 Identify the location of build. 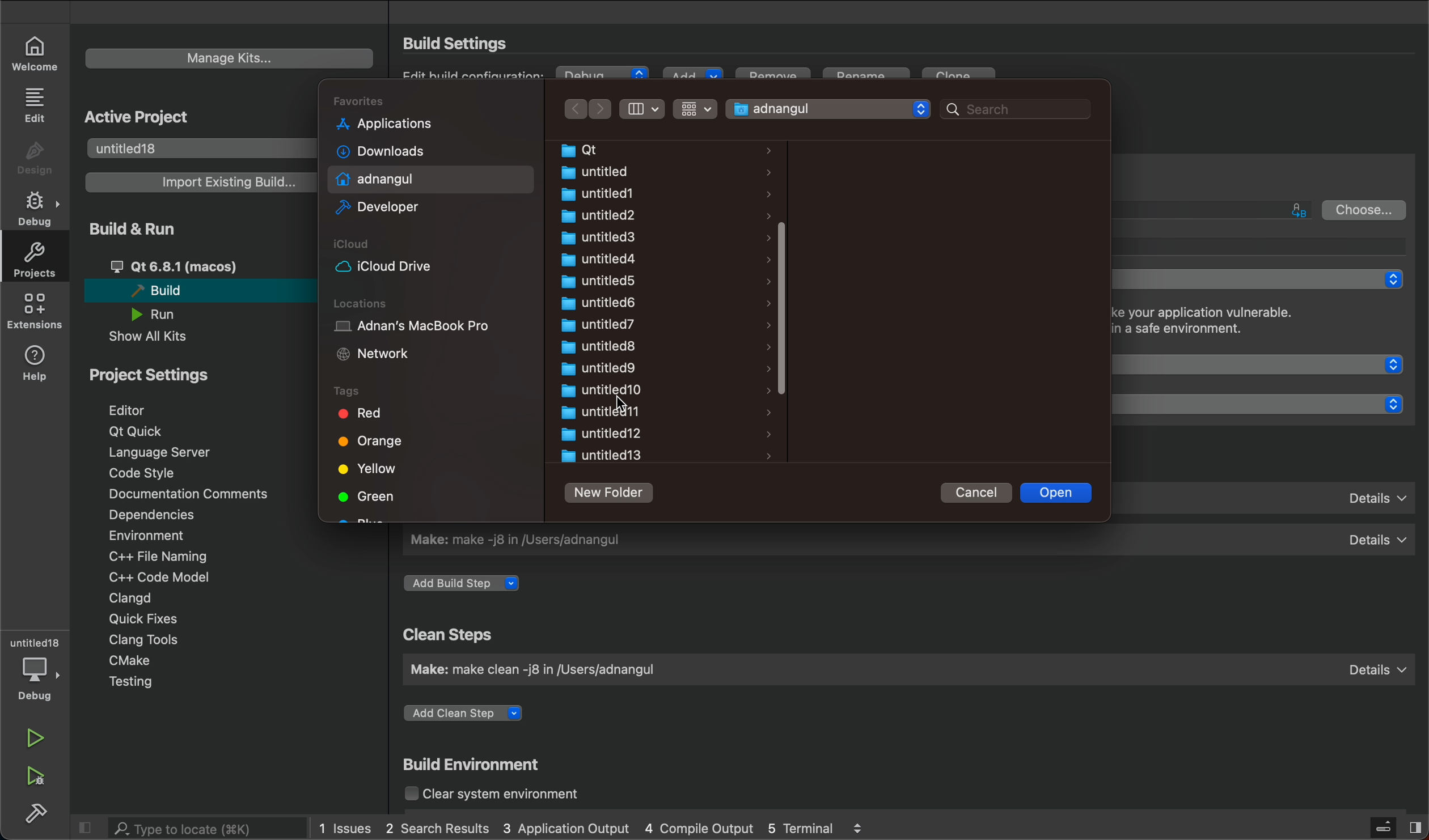
(201, 292).